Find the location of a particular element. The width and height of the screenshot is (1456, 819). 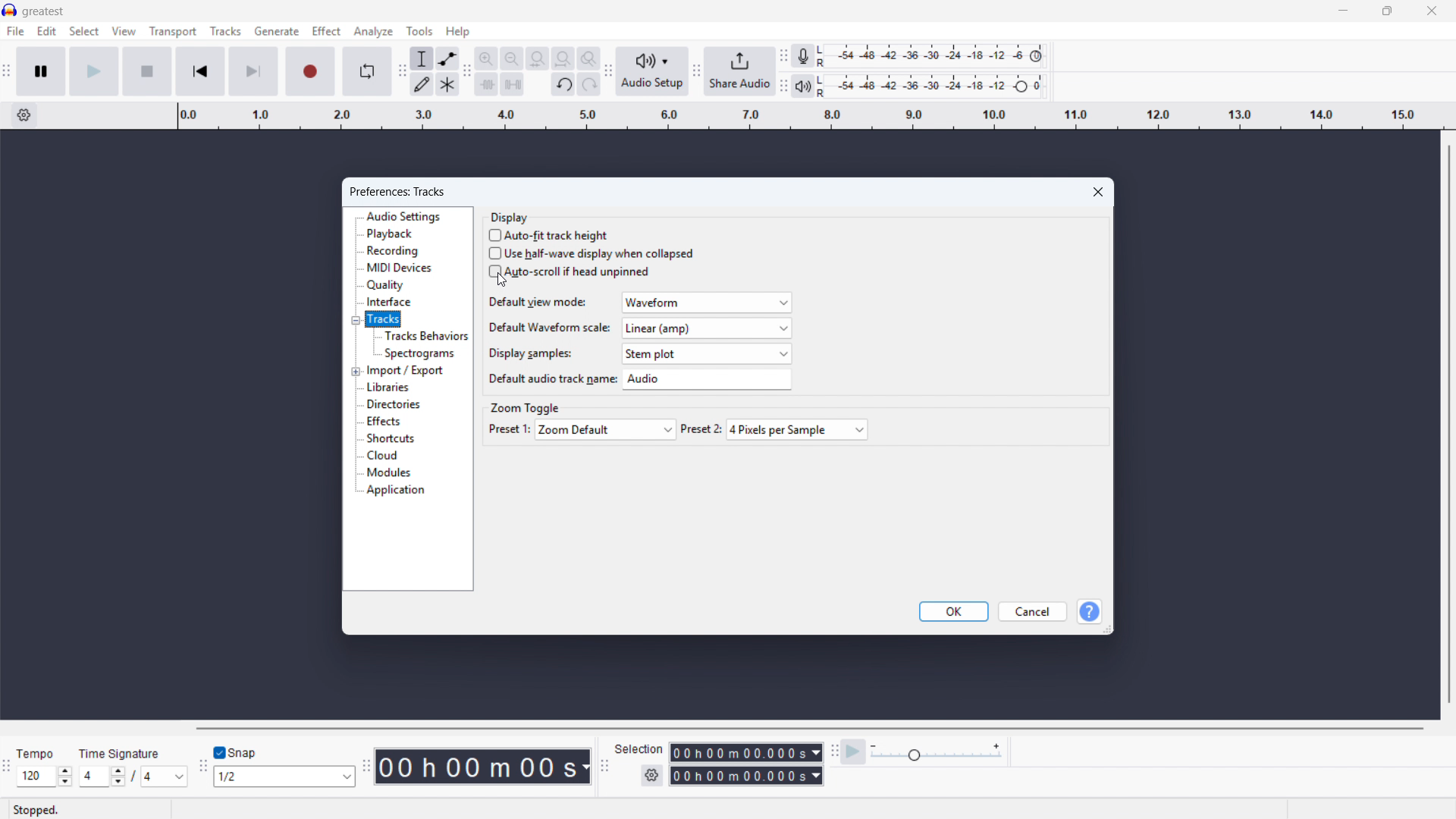

Set tempo  is located at coordinates (45, 777).